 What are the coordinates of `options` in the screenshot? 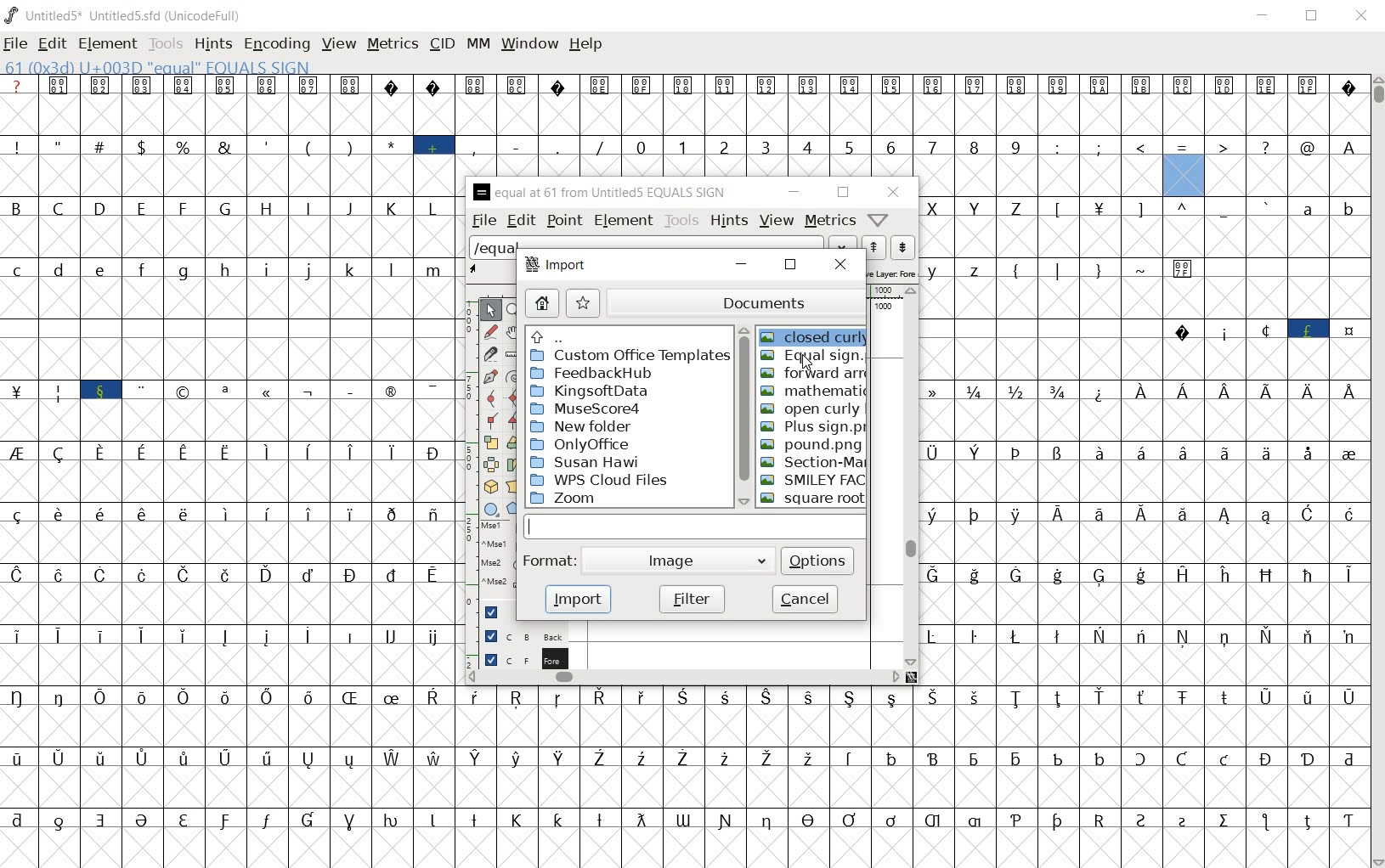 It's located at (817, 561).